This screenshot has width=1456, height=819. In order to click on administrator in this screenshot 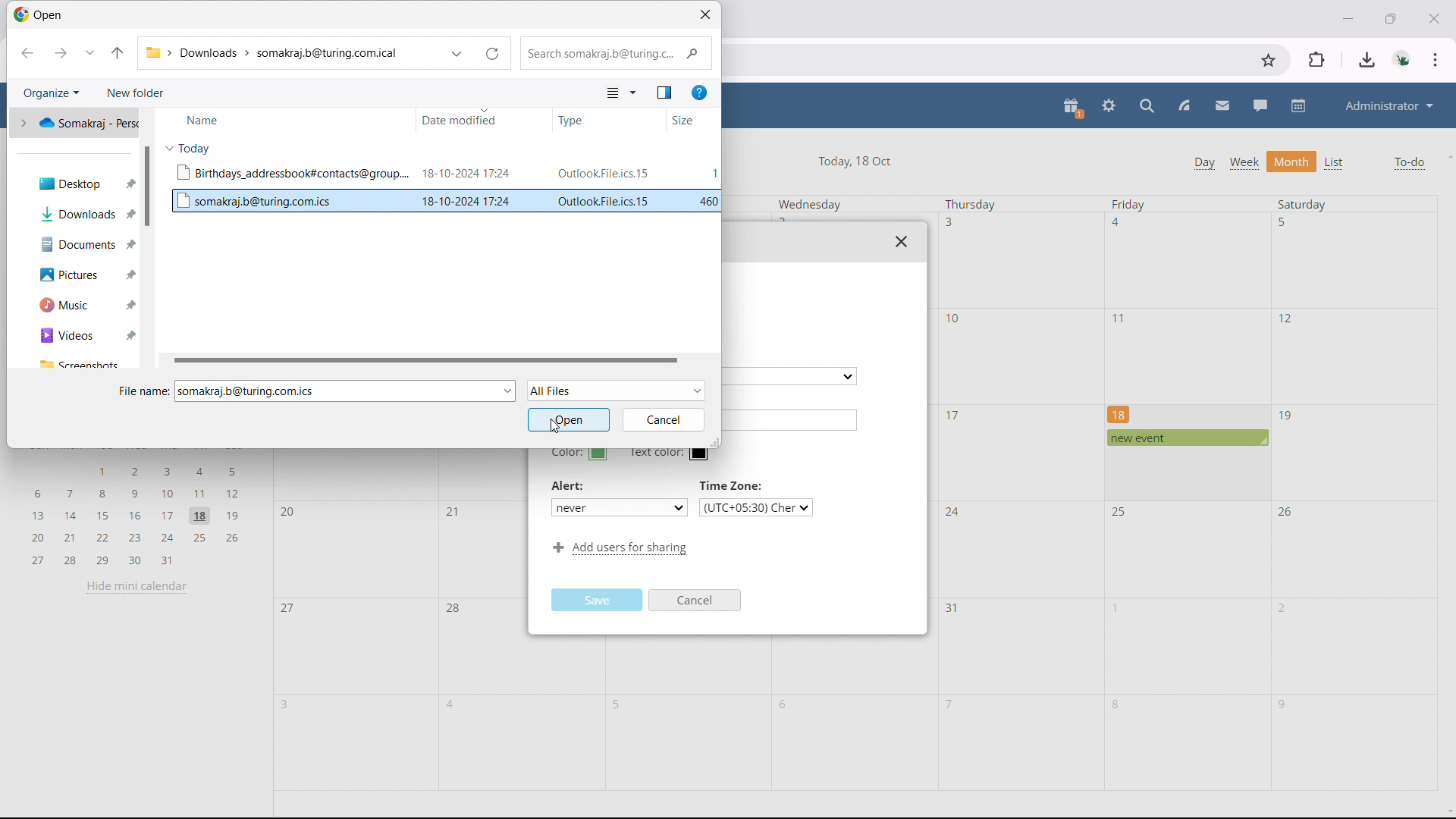, I will do `click(1388, 105)`.